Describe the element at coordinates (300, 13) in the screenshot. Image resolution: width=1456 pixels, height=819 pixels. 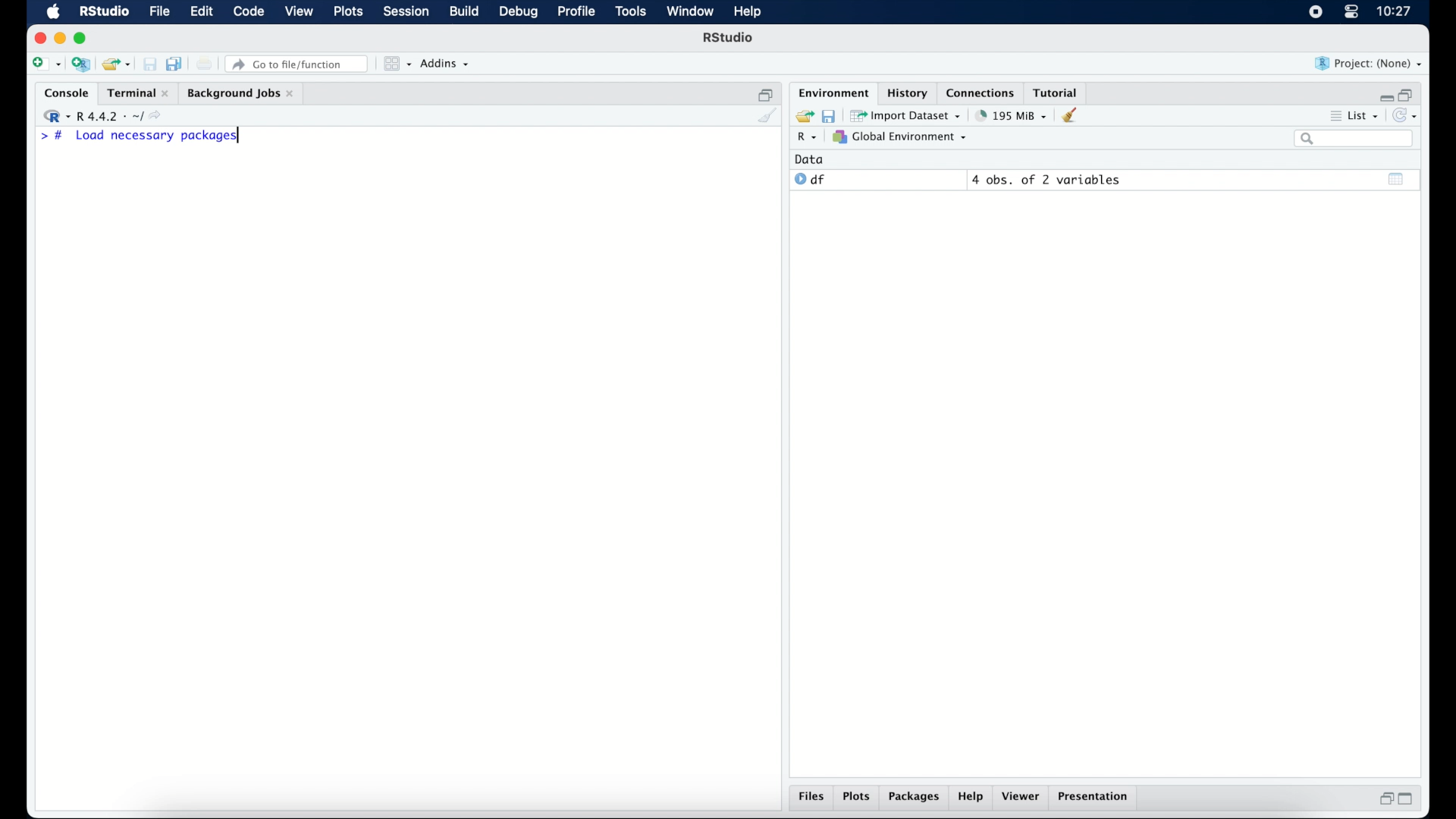
I see `view` at that location.